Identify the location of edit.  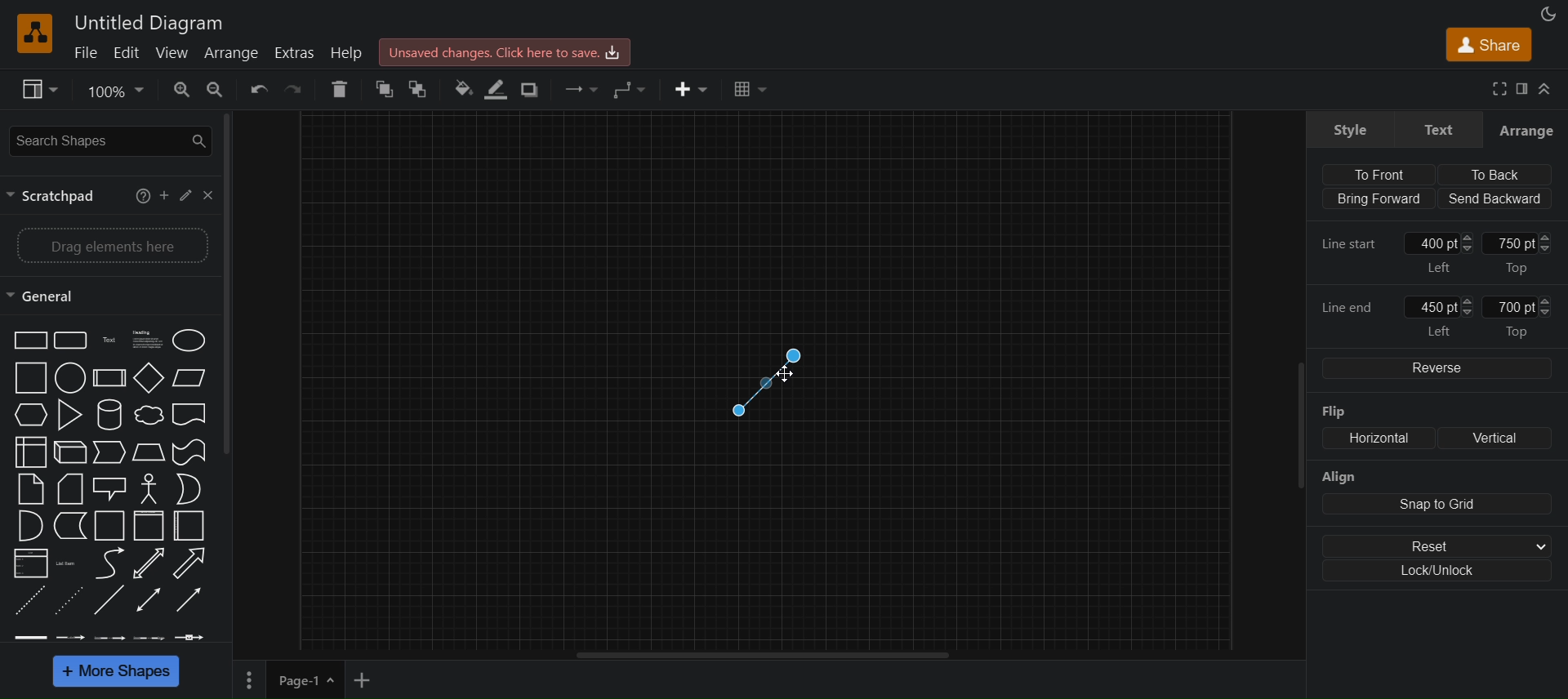
(127, 52).